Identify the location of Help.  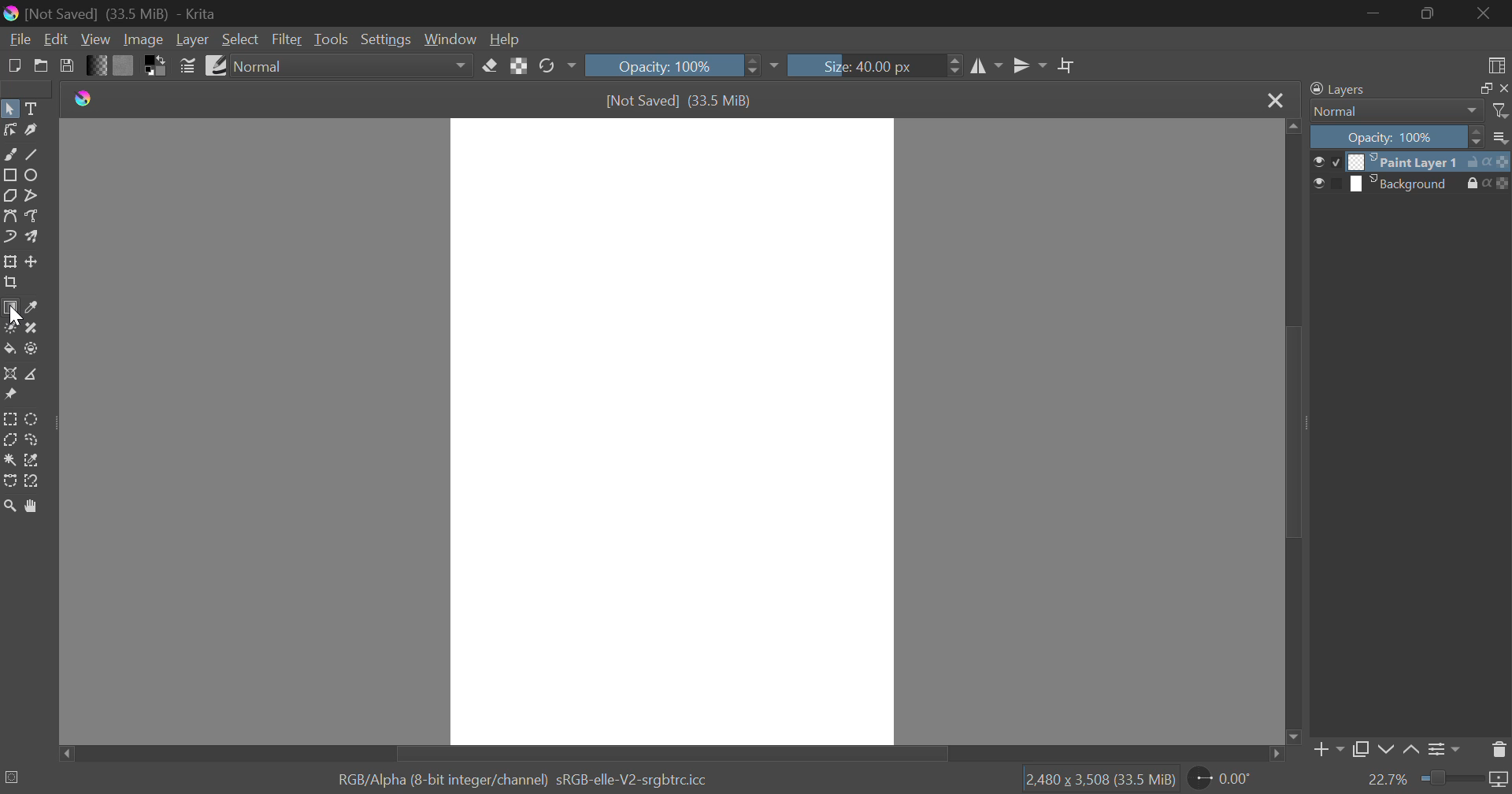
(505, 39).